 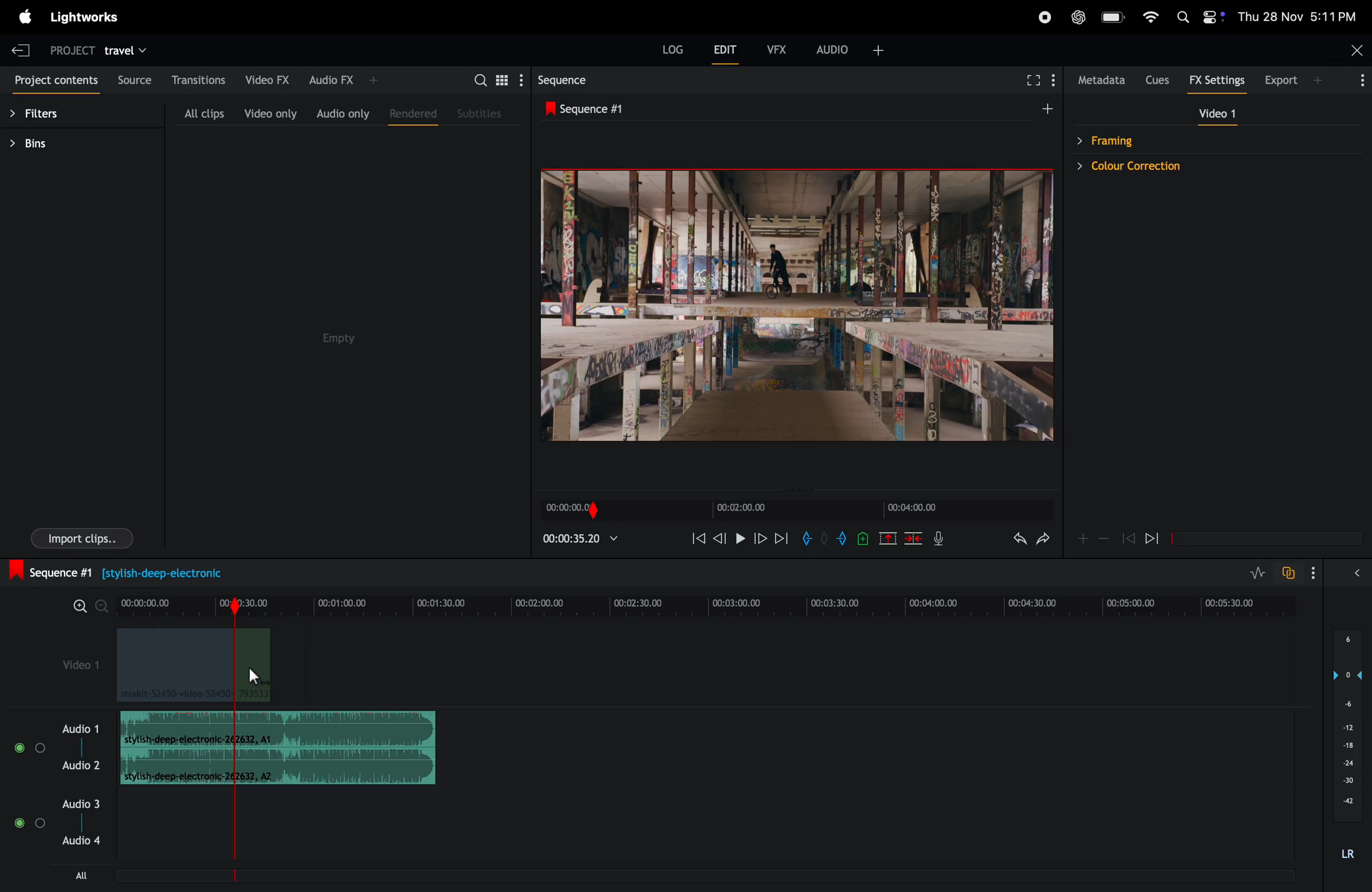 What do you see at coordinates (81, 841) in the screenshot?
I see `Audio 4` at bounding box center [81, 841].